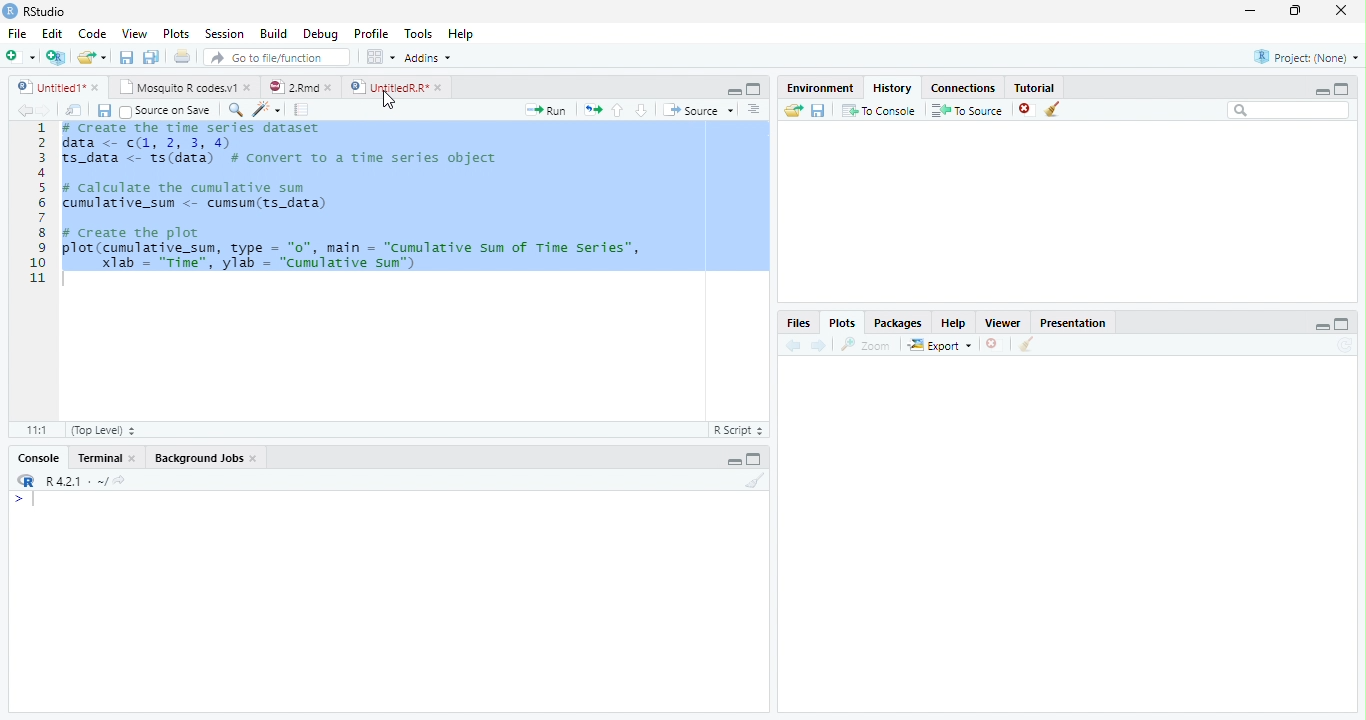  What do you see at coordinates (879, 113) in the screenshot?
I see `To Console` at bounding box center [879, 113].